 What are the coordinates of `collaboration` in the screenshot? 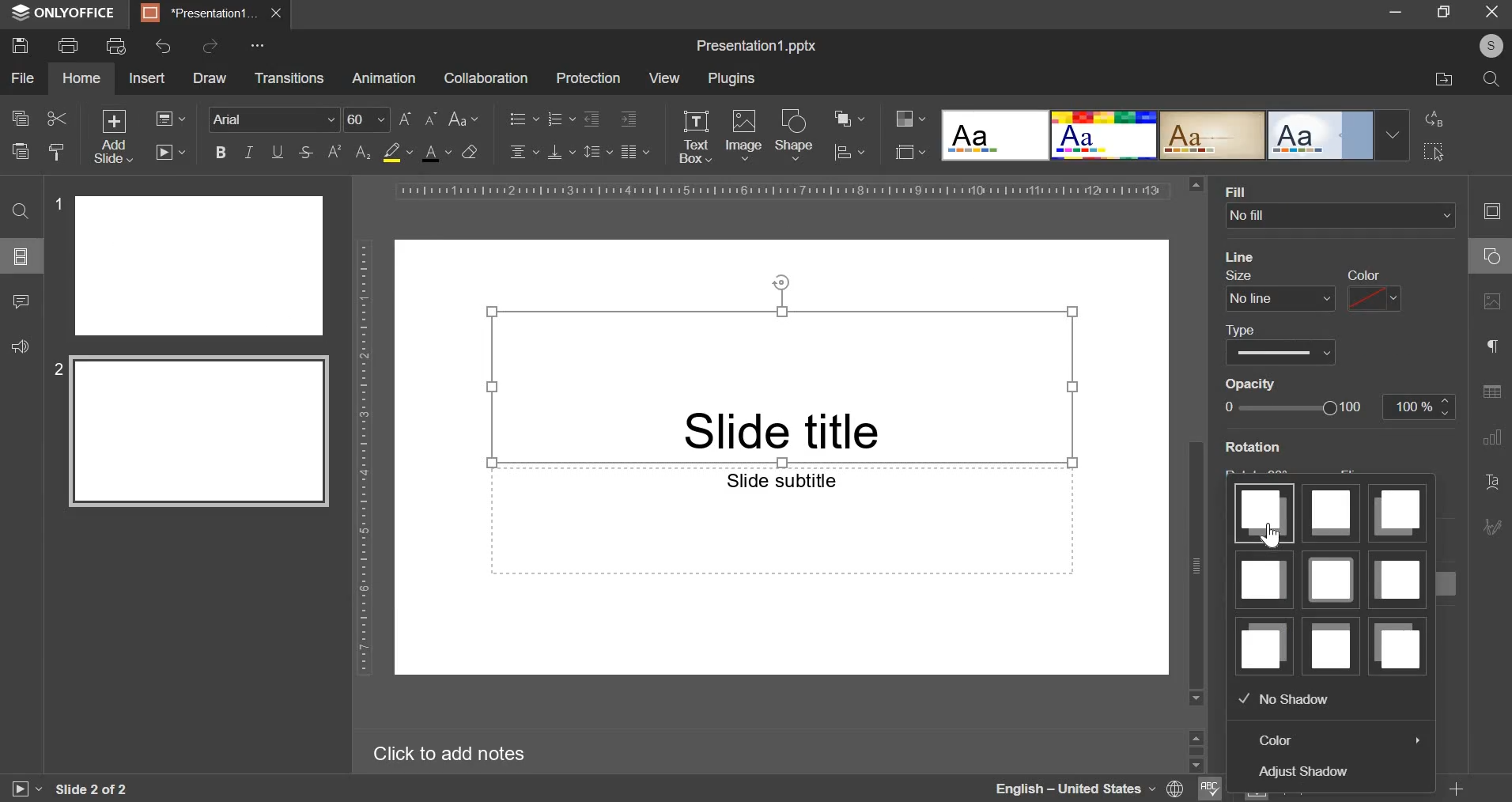 It's located at (485, 78).